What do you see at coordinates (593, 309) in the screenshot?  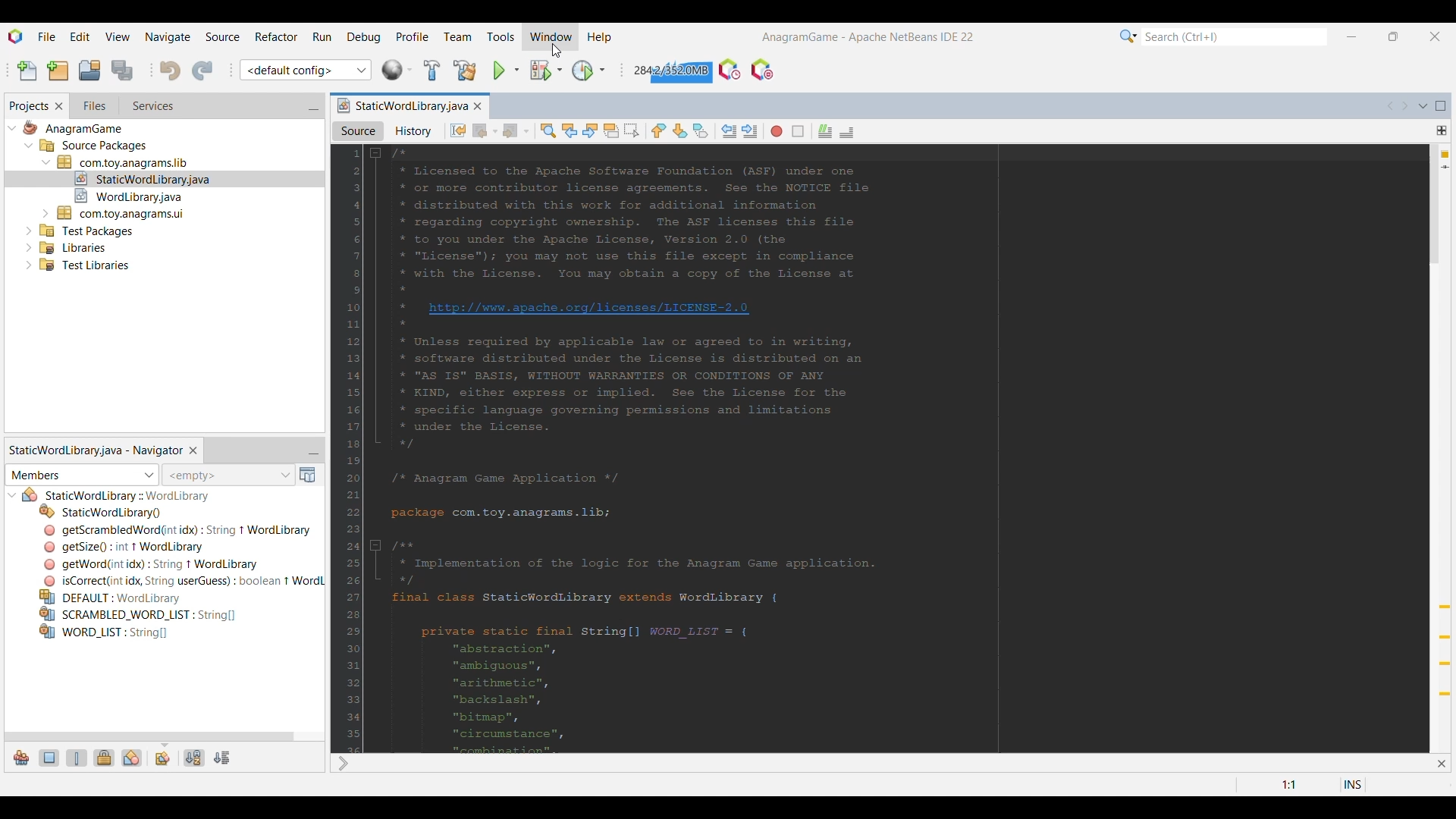 I see `` at bounding box center [593, 309].